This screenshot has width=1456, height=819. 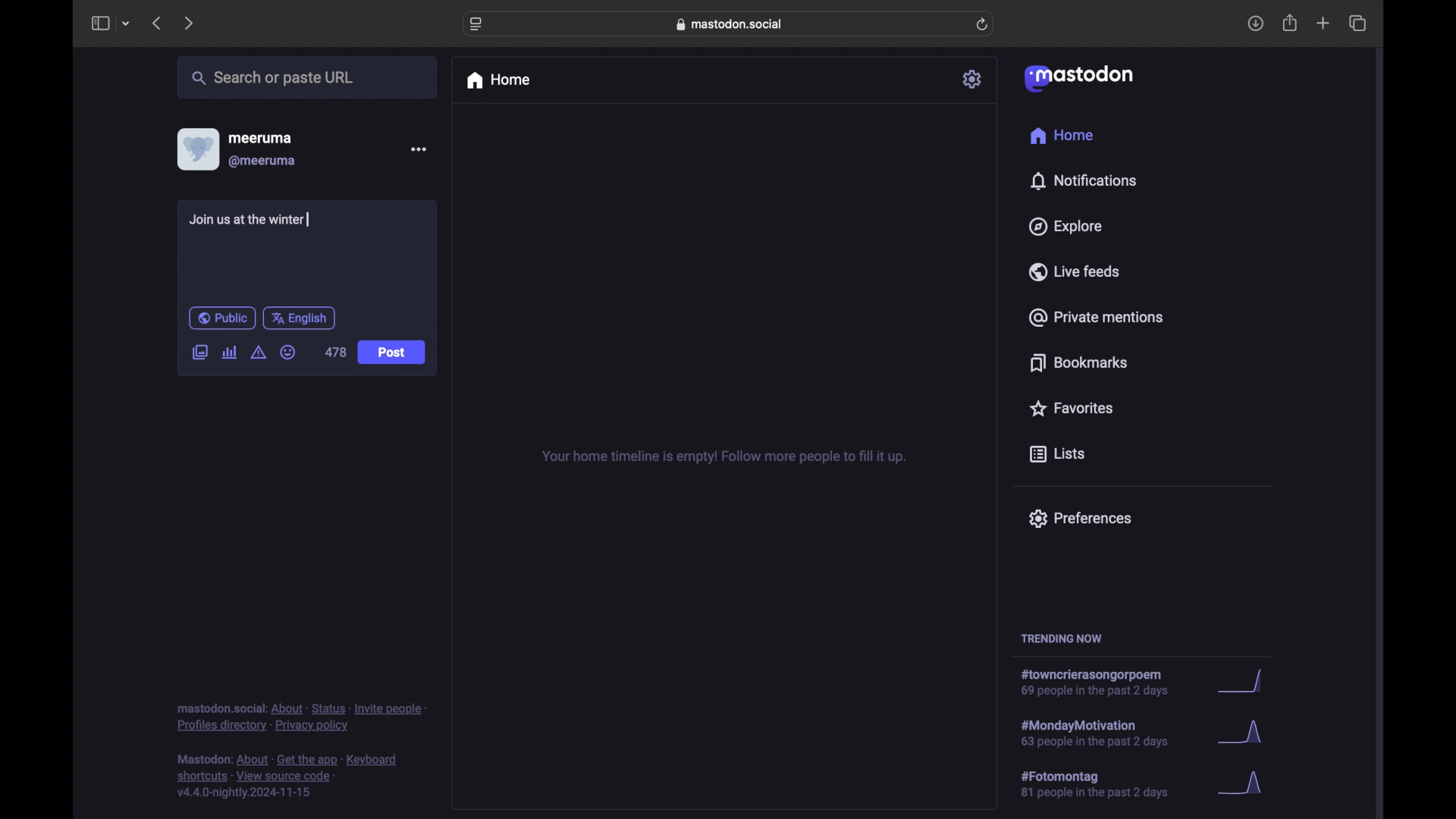 What do you see at coordinates (229, 352) in the screenshot?
I see `add  poll` at bounding box center [229, 352].